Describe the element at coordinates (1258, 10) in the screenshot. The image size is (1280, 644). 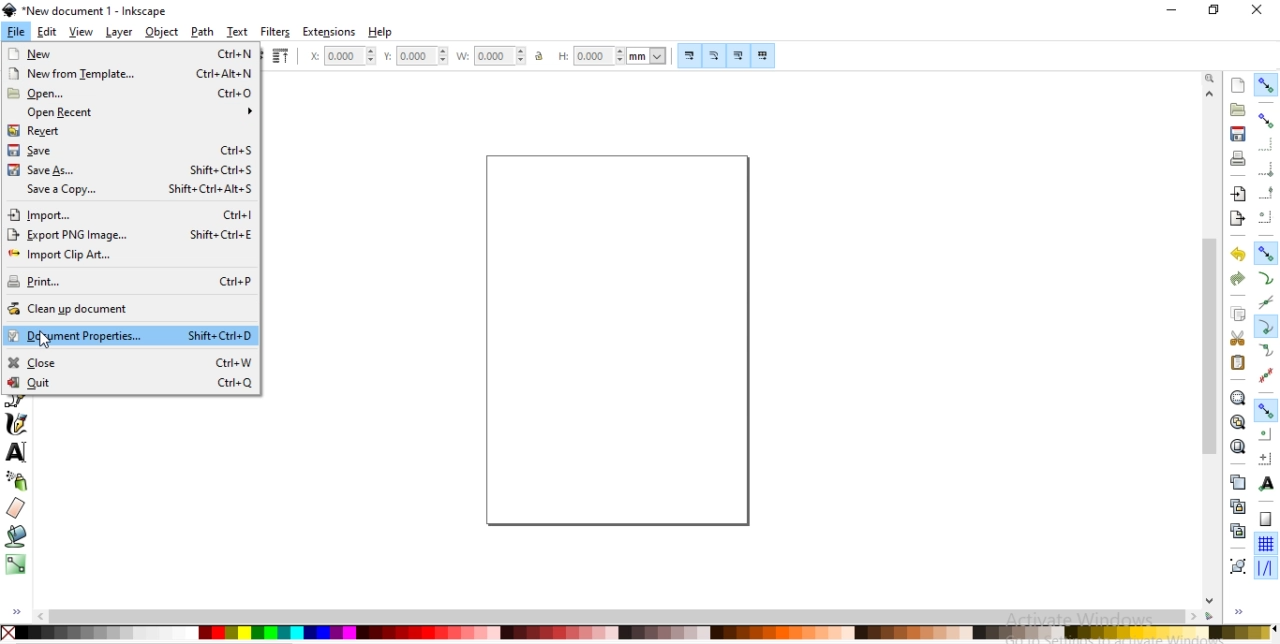
I see `close` at that location.